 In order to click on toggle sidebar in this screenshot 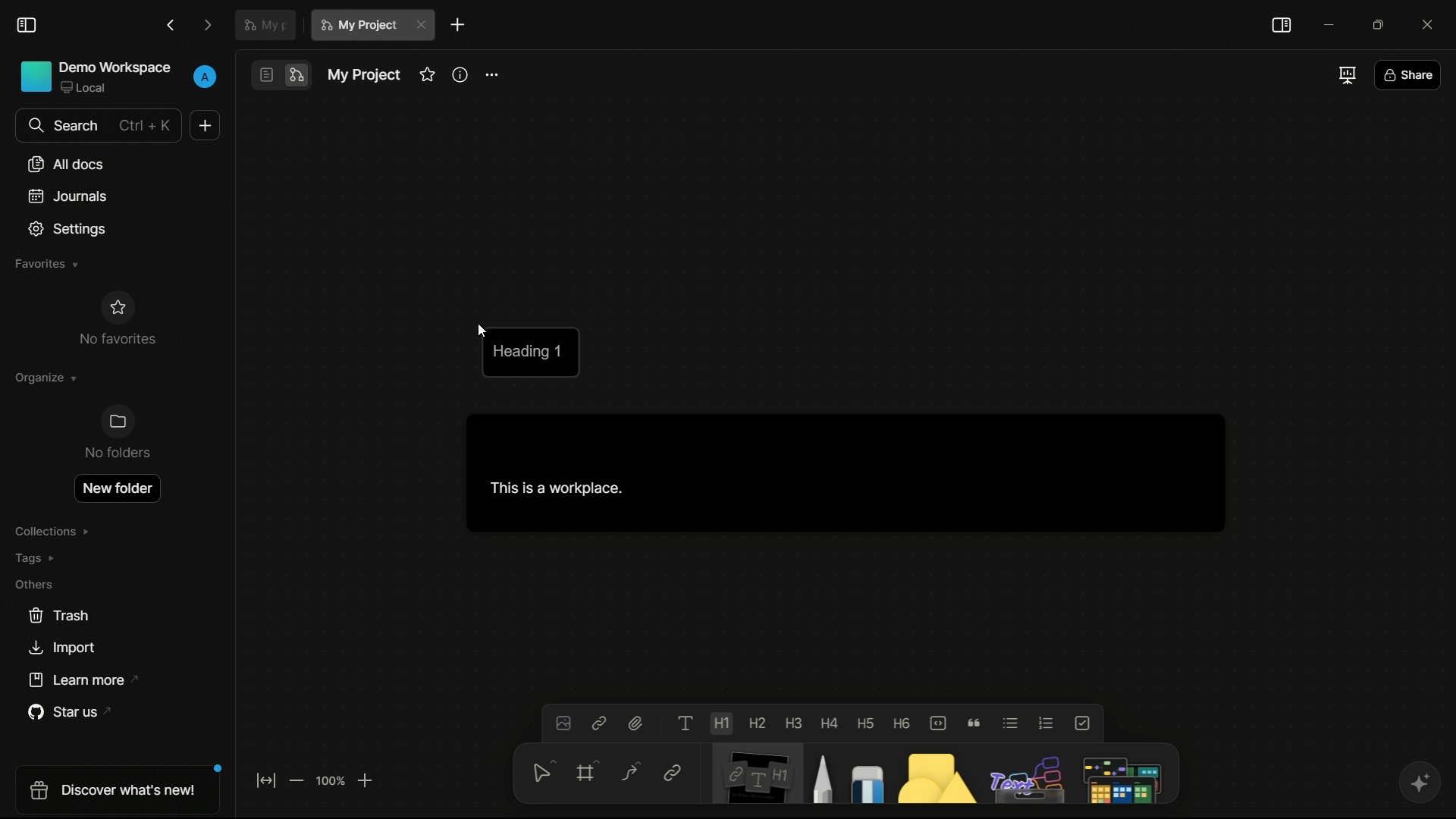, I will do `click(30, 24)`.